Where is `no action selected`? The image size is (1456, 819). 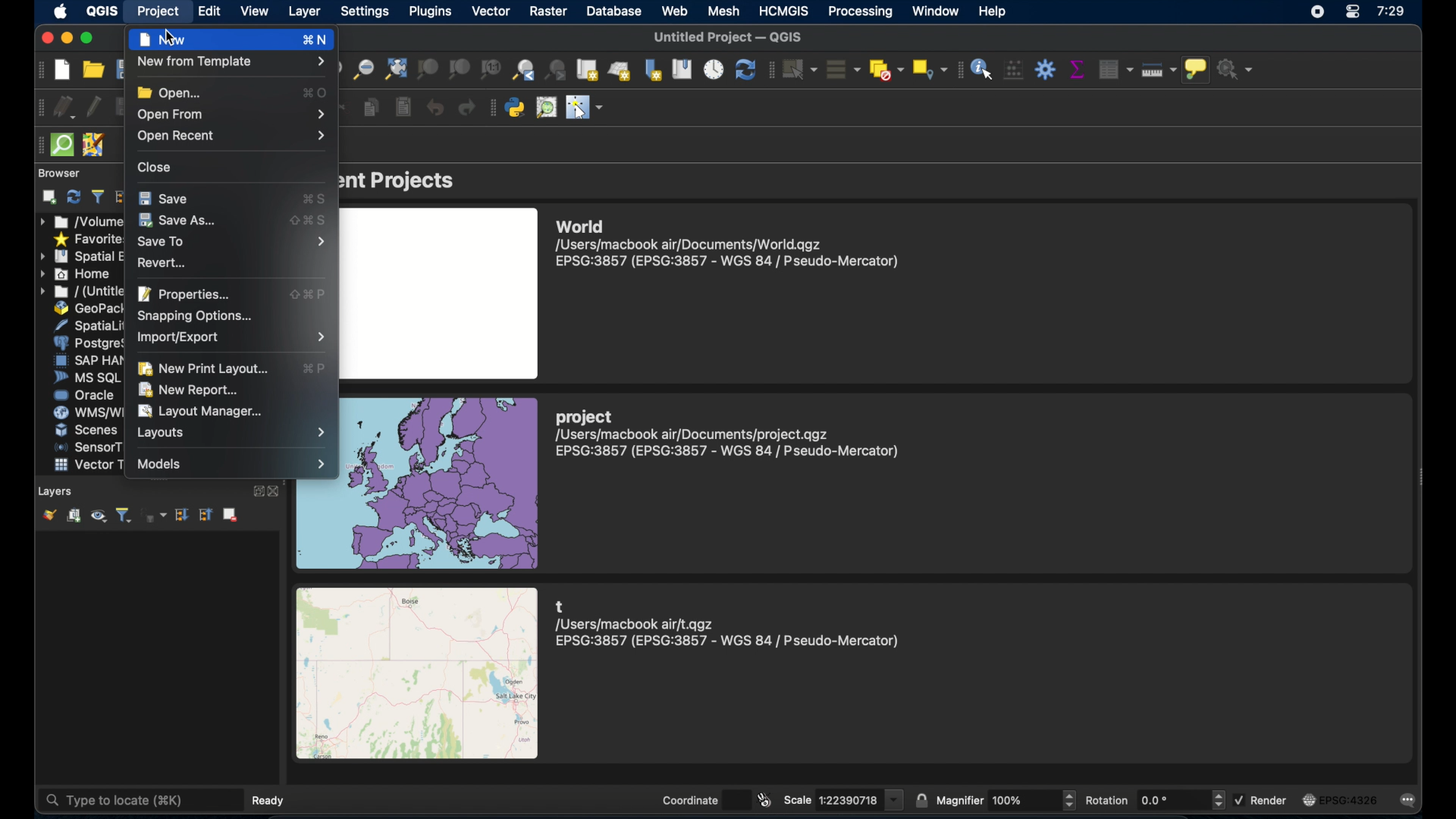 no action selected is located at coordinates (1235, 68).